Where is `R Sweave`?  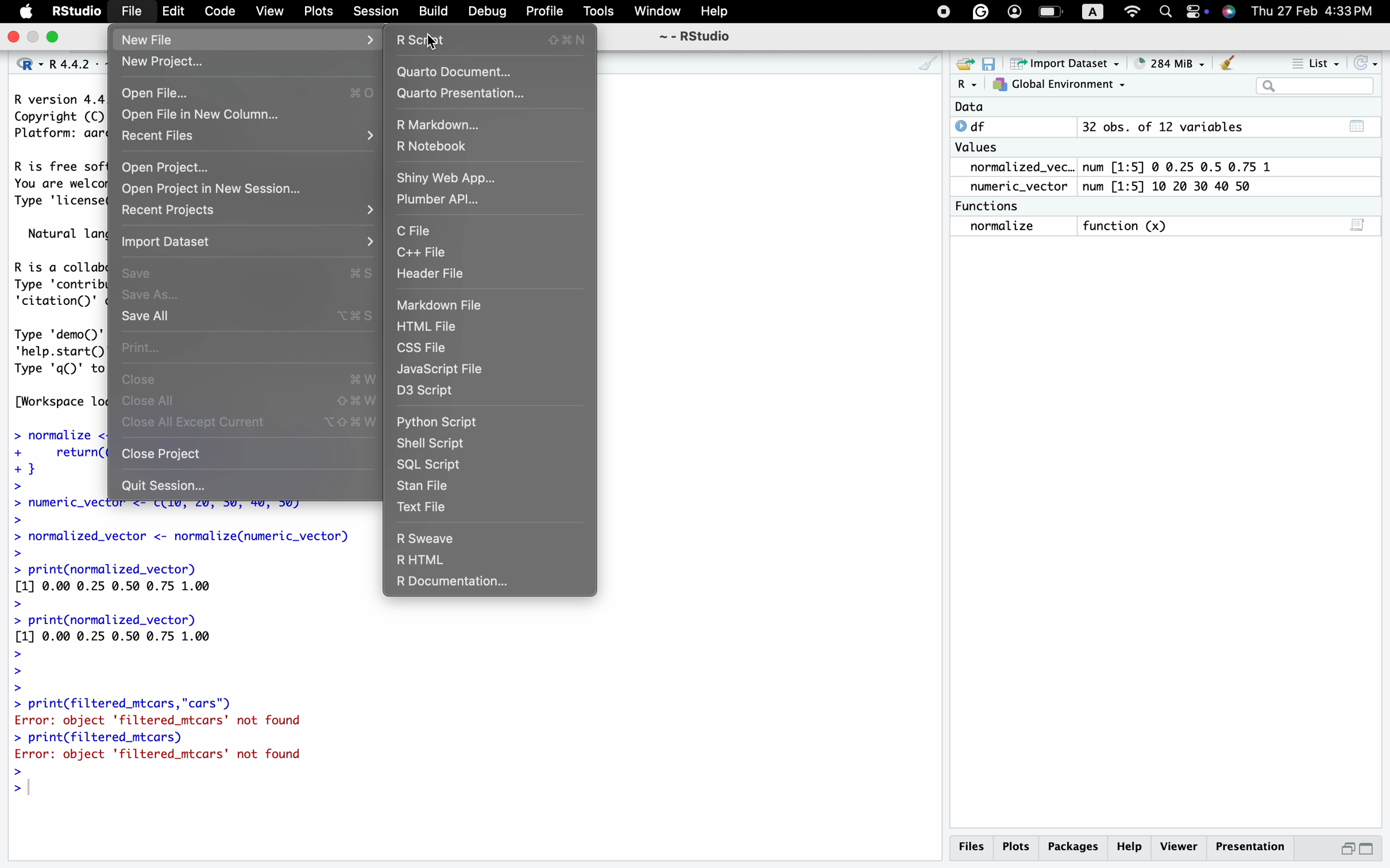 R Sweave is located at coordinates (427, 537).